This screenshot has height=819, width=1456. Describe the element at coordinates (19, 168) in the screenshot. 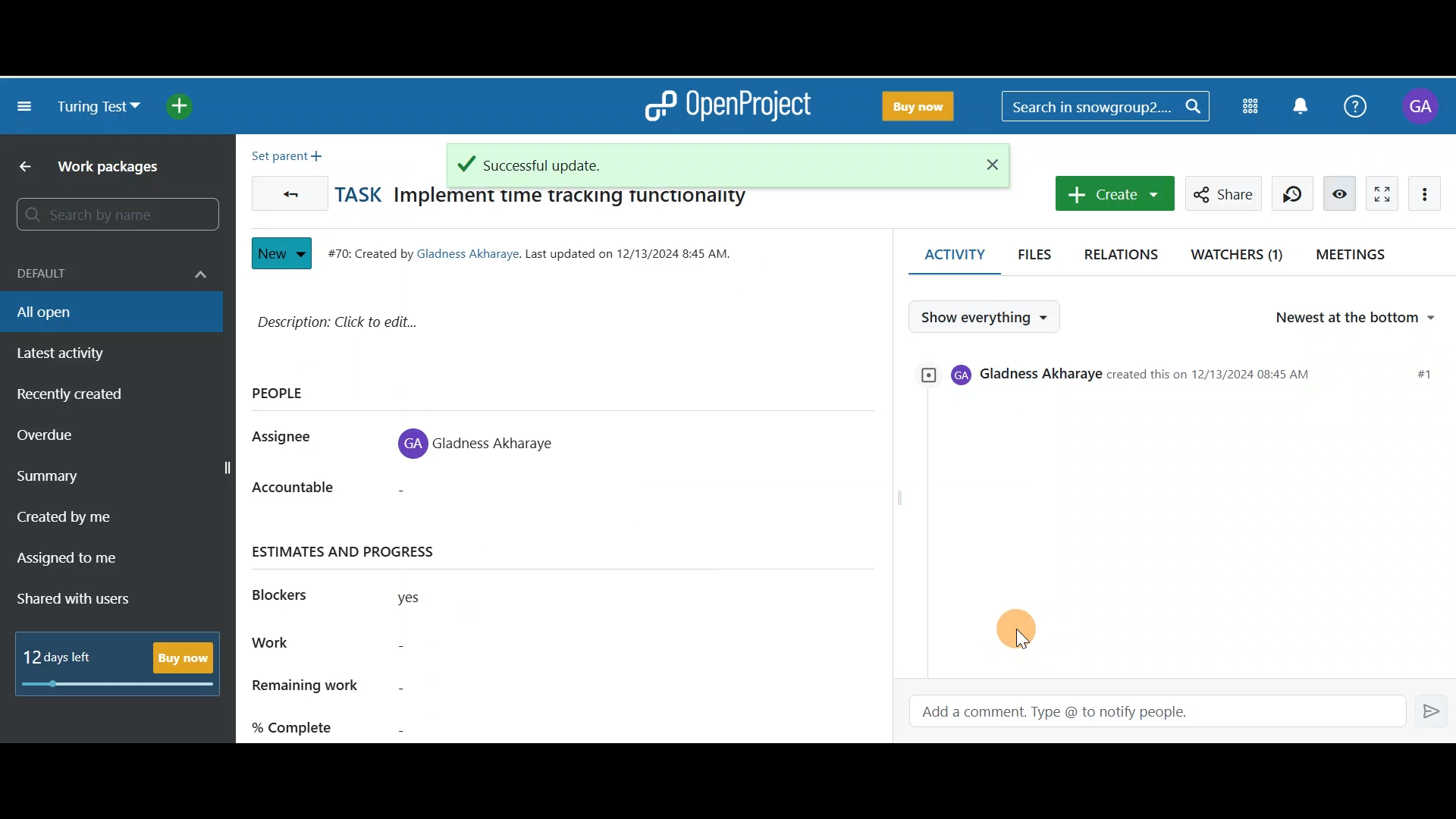

I see `Back` at that location.